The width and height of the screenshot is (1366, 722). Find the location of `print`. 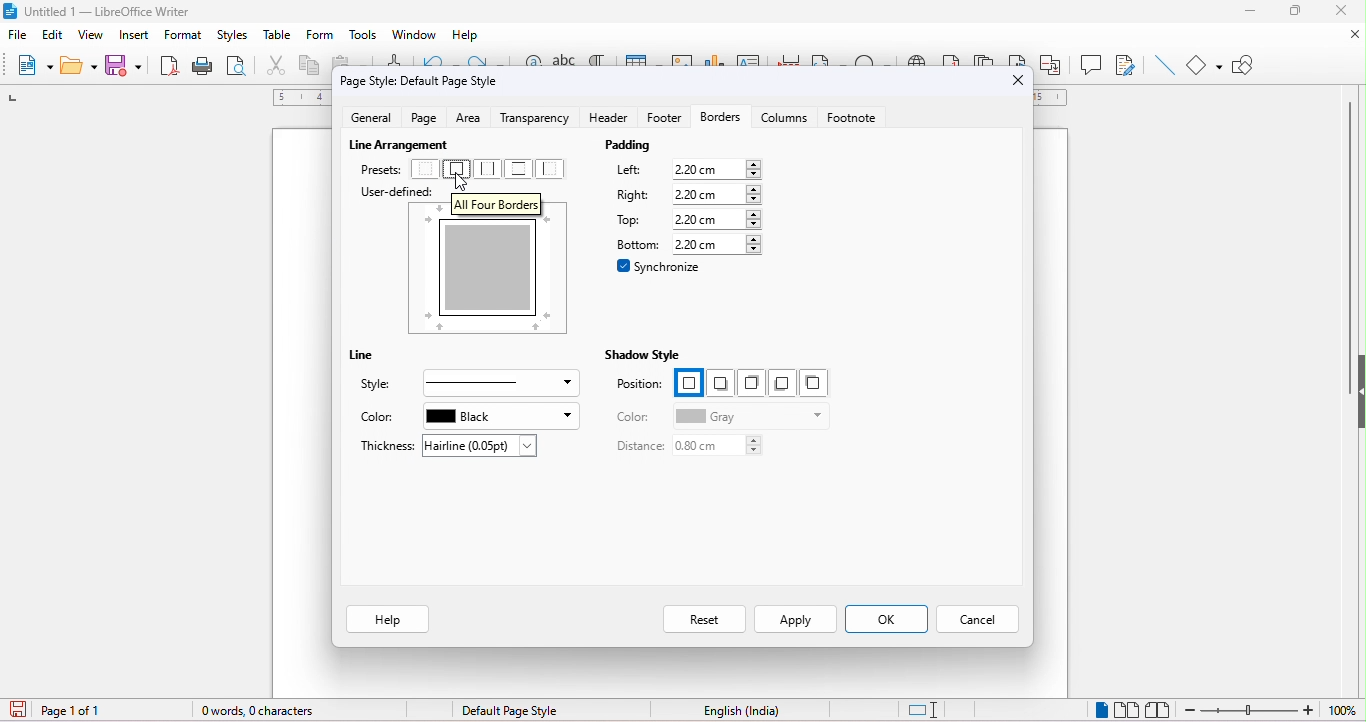

print is located at coordinates (202, 67).